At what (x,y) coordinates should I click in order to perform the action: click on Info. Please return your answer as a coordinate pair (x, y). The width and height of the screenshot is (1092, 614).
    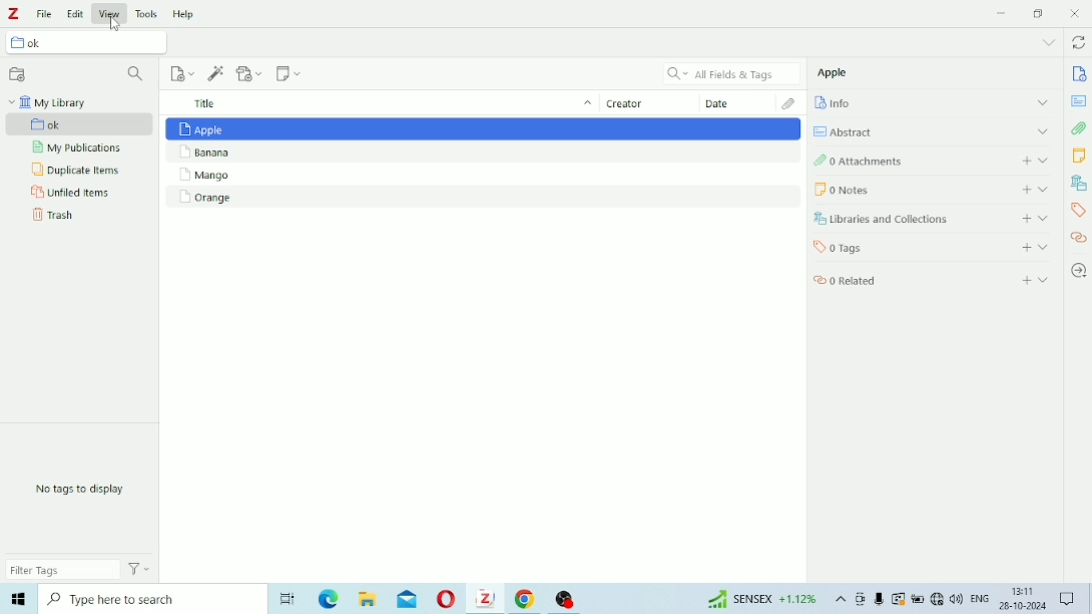
    Looking at the image, I should click on (1078, 74).